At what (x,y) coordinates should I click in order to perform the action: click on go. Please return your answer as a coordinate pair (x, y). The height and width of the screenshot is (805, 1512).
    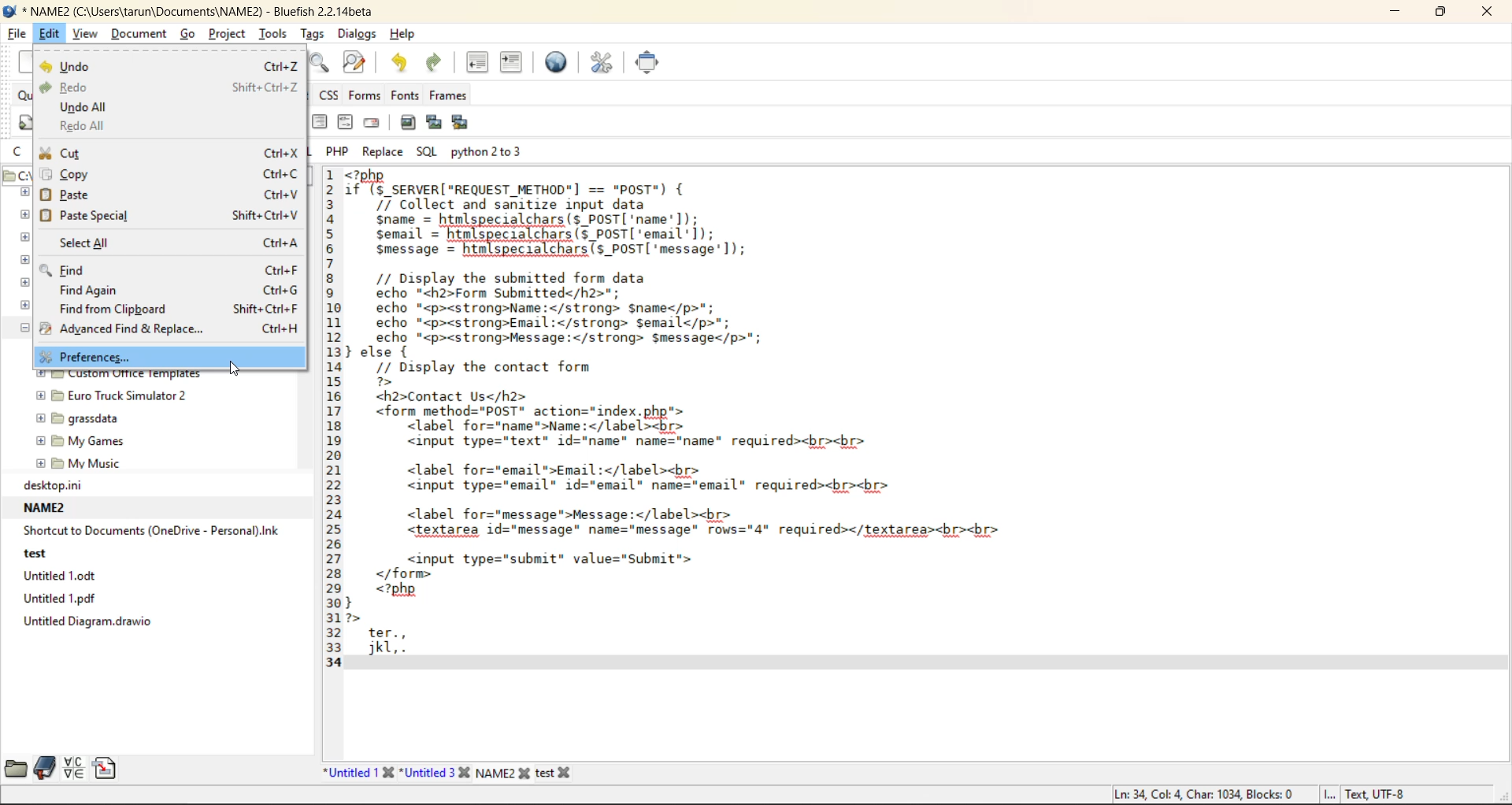
    Looking at the image, I should click on (189, 35).